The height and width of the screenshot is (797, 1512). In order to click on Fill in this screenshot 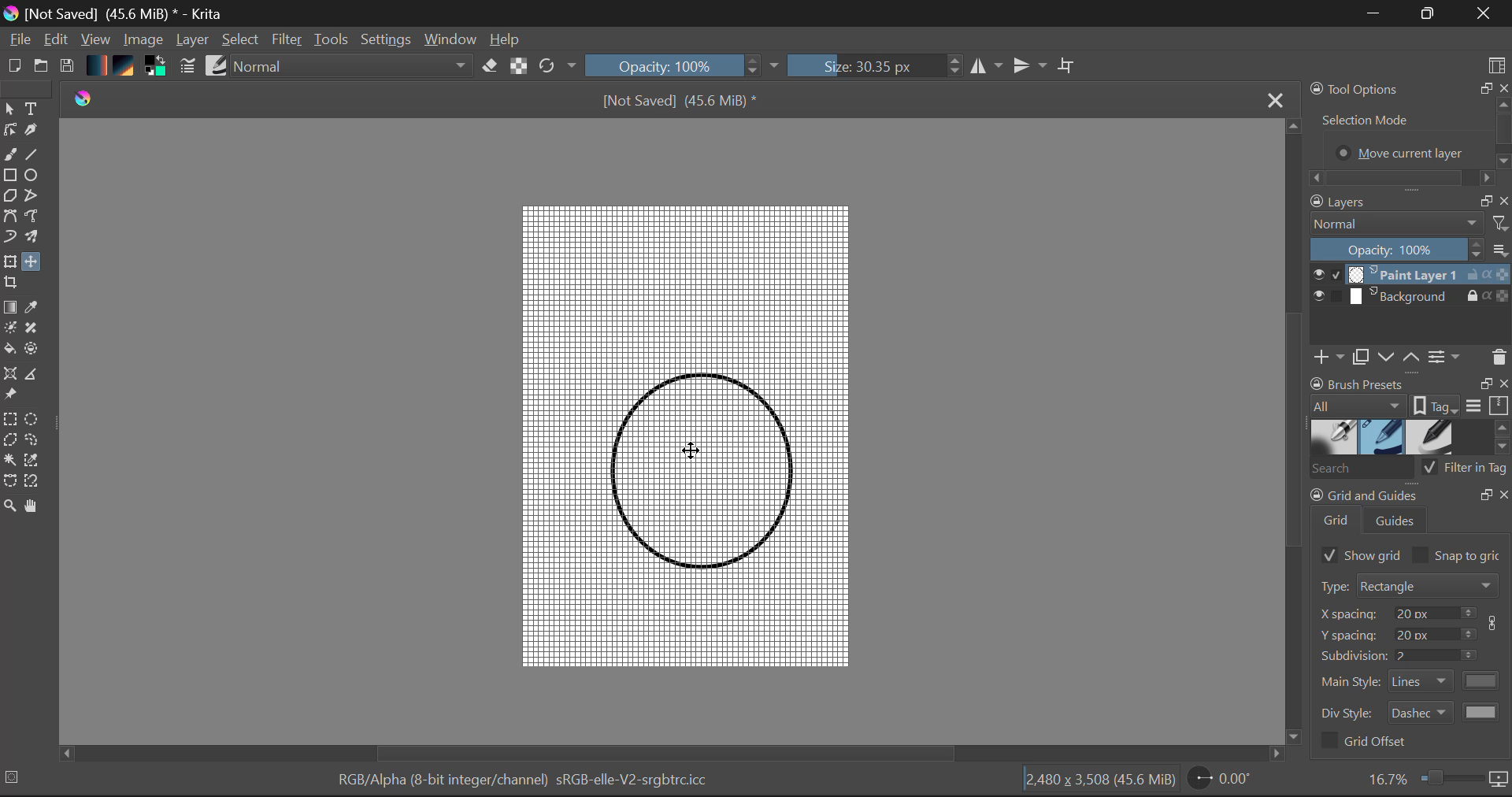, I will do `click(9, 350)`.